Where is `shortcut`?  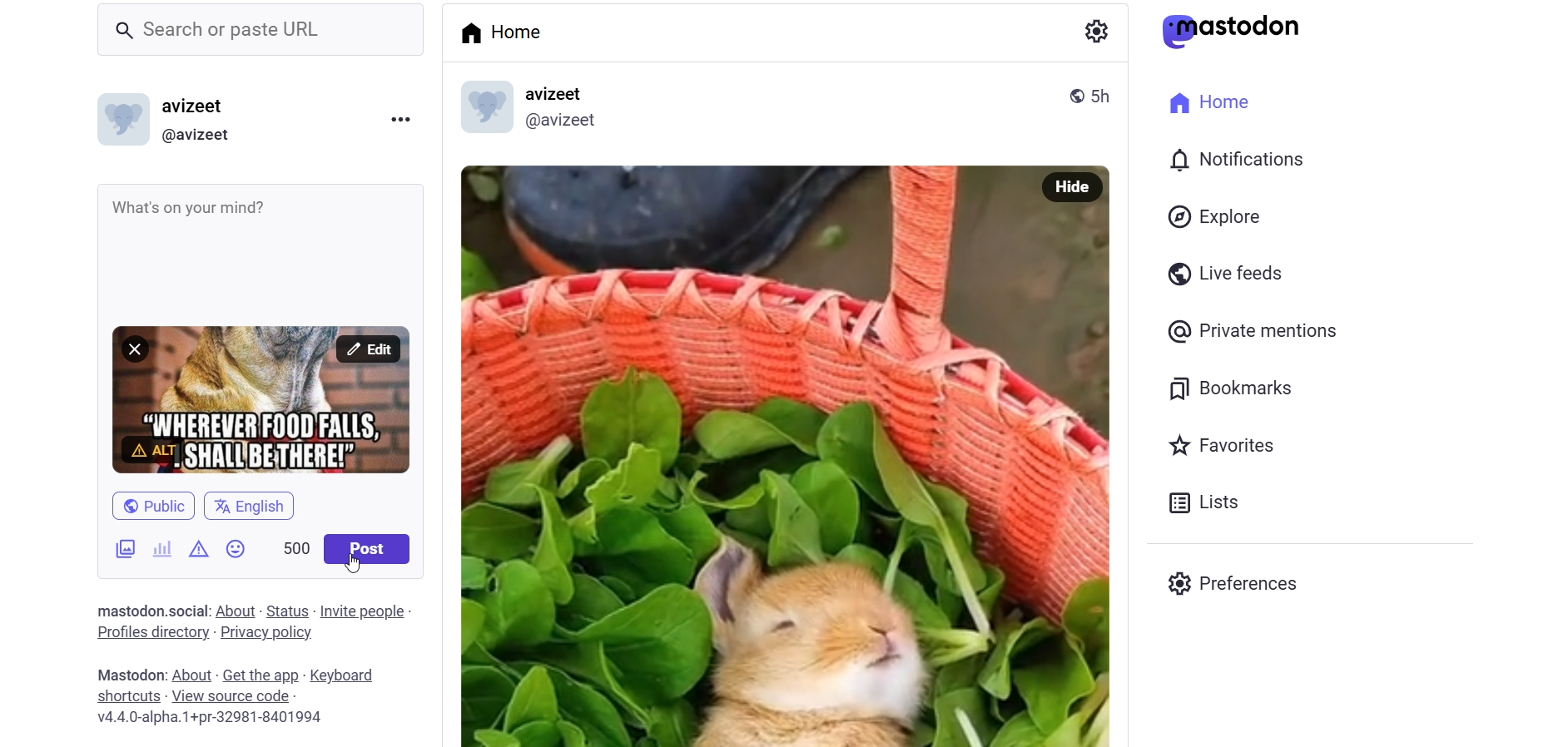
shortcut is located at coordinates (124, 695).